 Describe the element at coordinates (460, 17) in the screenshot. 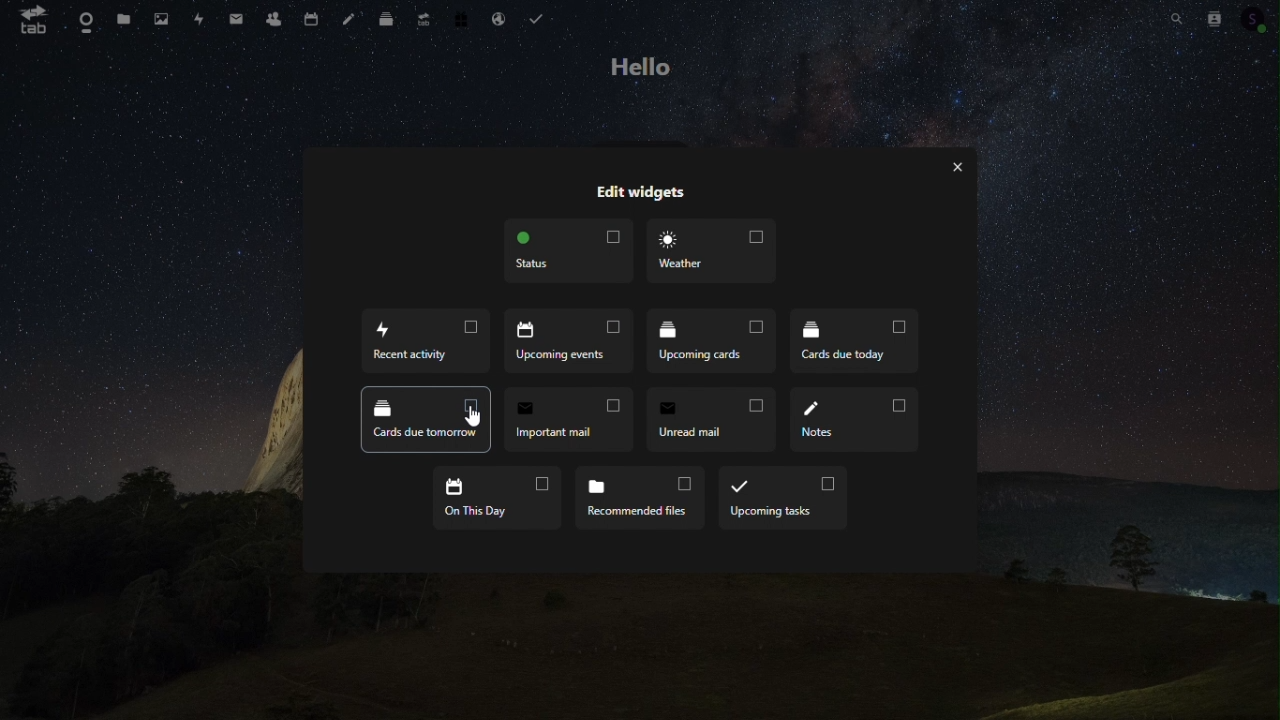

I see `Free trial` at that location.